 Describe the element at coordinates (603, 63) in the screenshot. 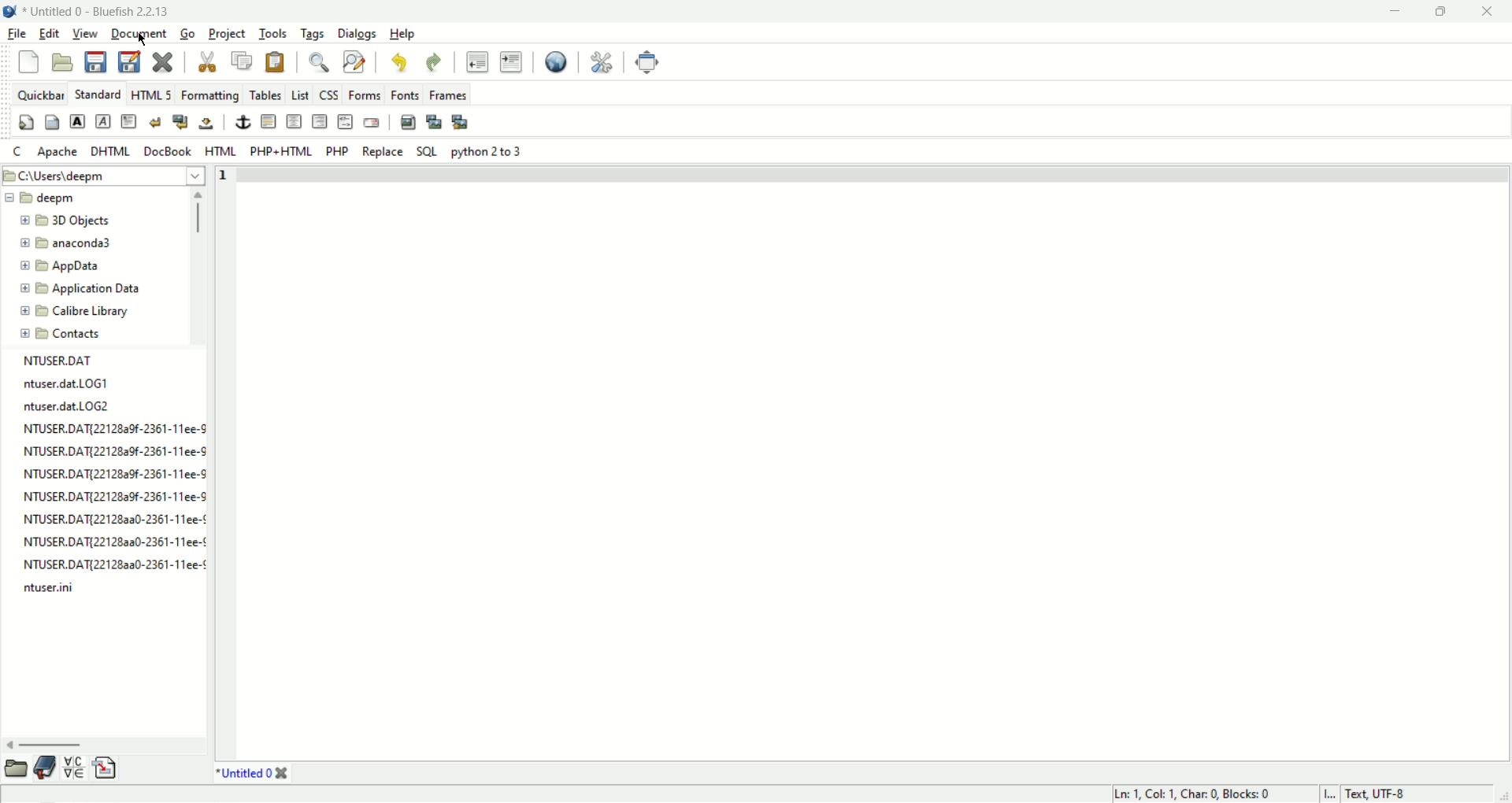

I see `preferences` at that location.